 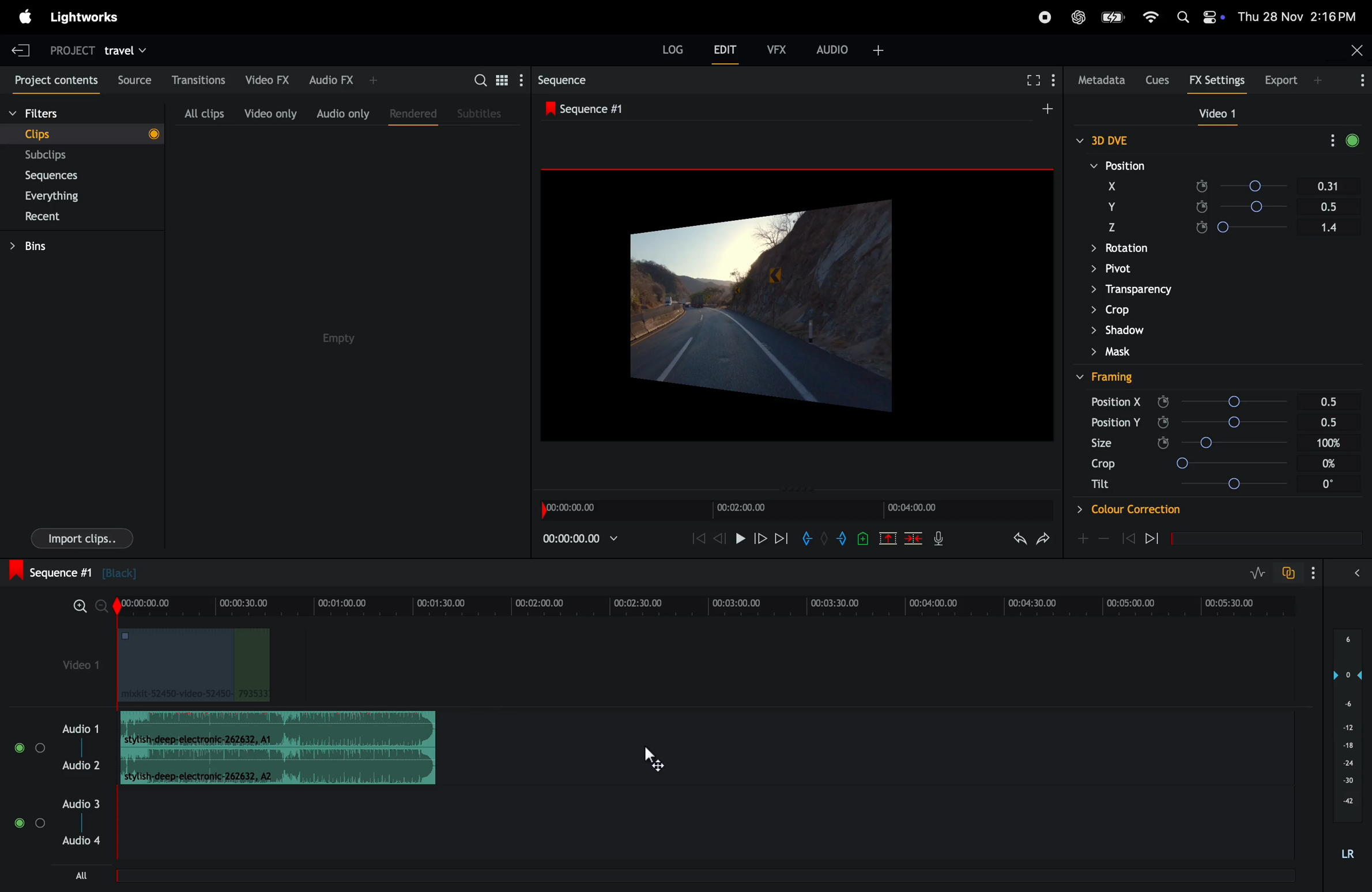 What do you see at coordinates (1157, 78) in the screenshot?
I see `cues` at bounding box center [1157, 78].